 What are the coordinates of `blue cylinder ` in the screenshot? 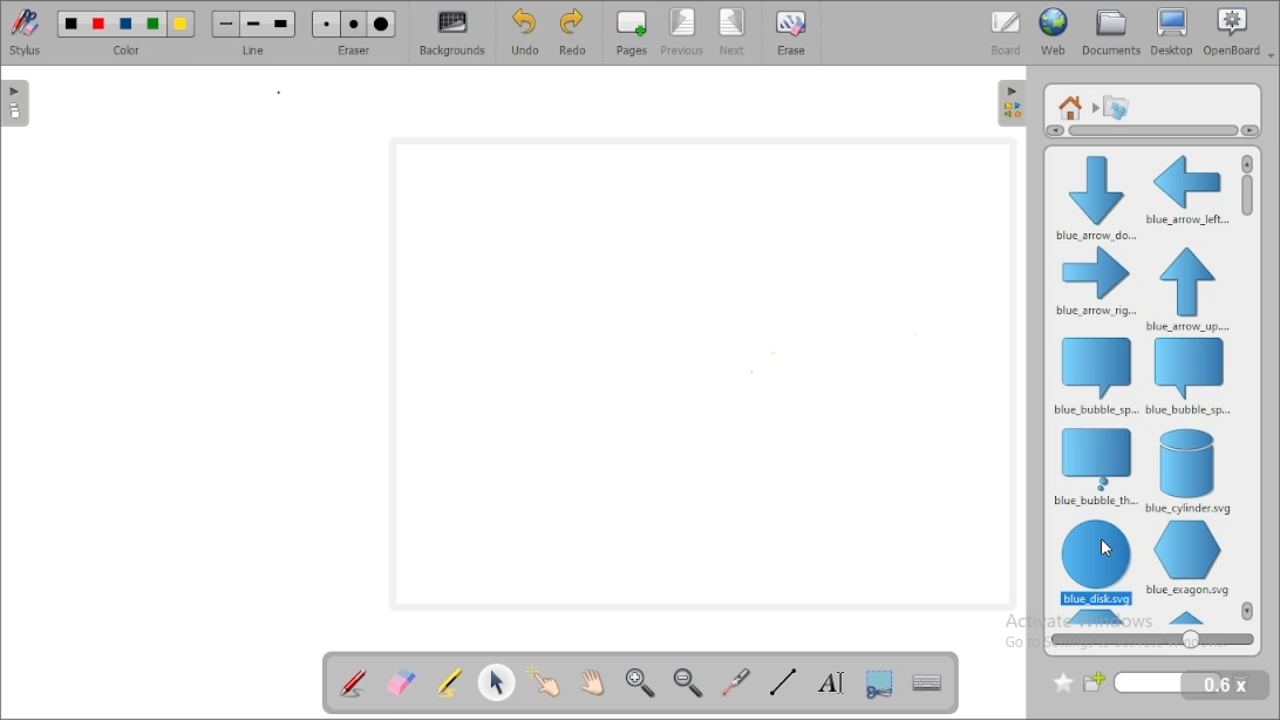 It's located at (1190, 471).